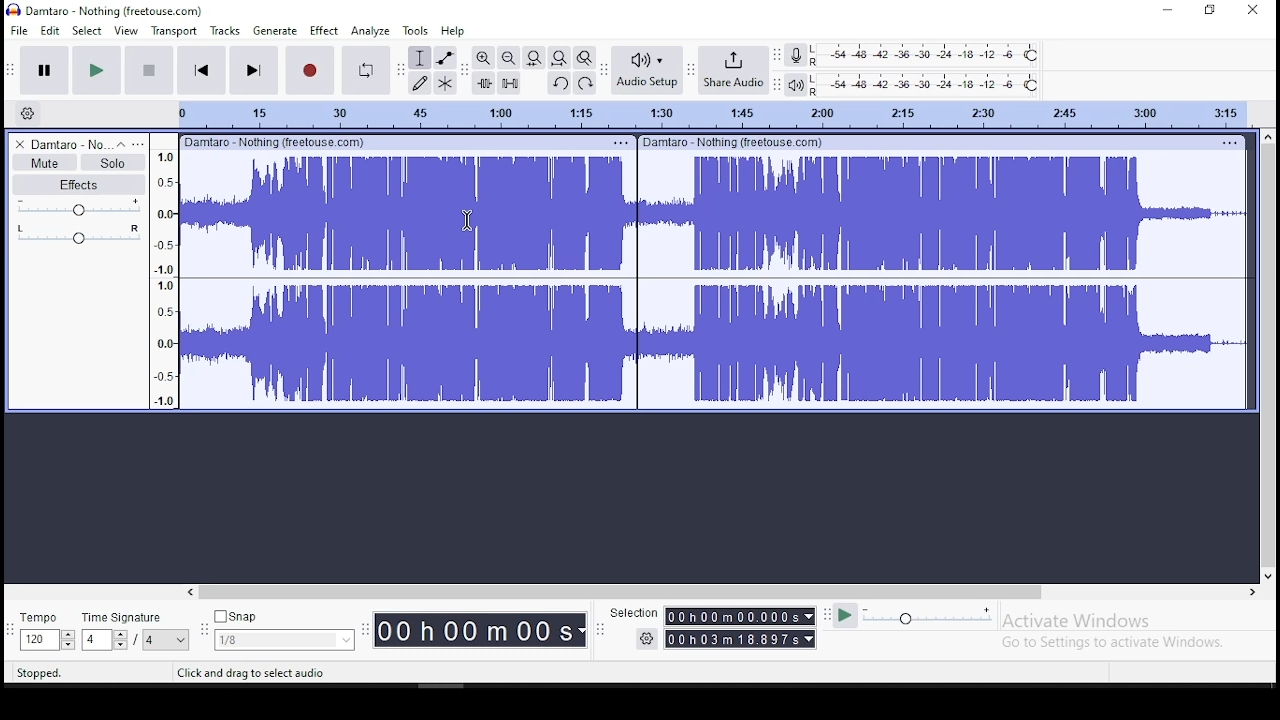 This screenshot has width=1280, height=720. I want to click on playback level, so click(930, 83).